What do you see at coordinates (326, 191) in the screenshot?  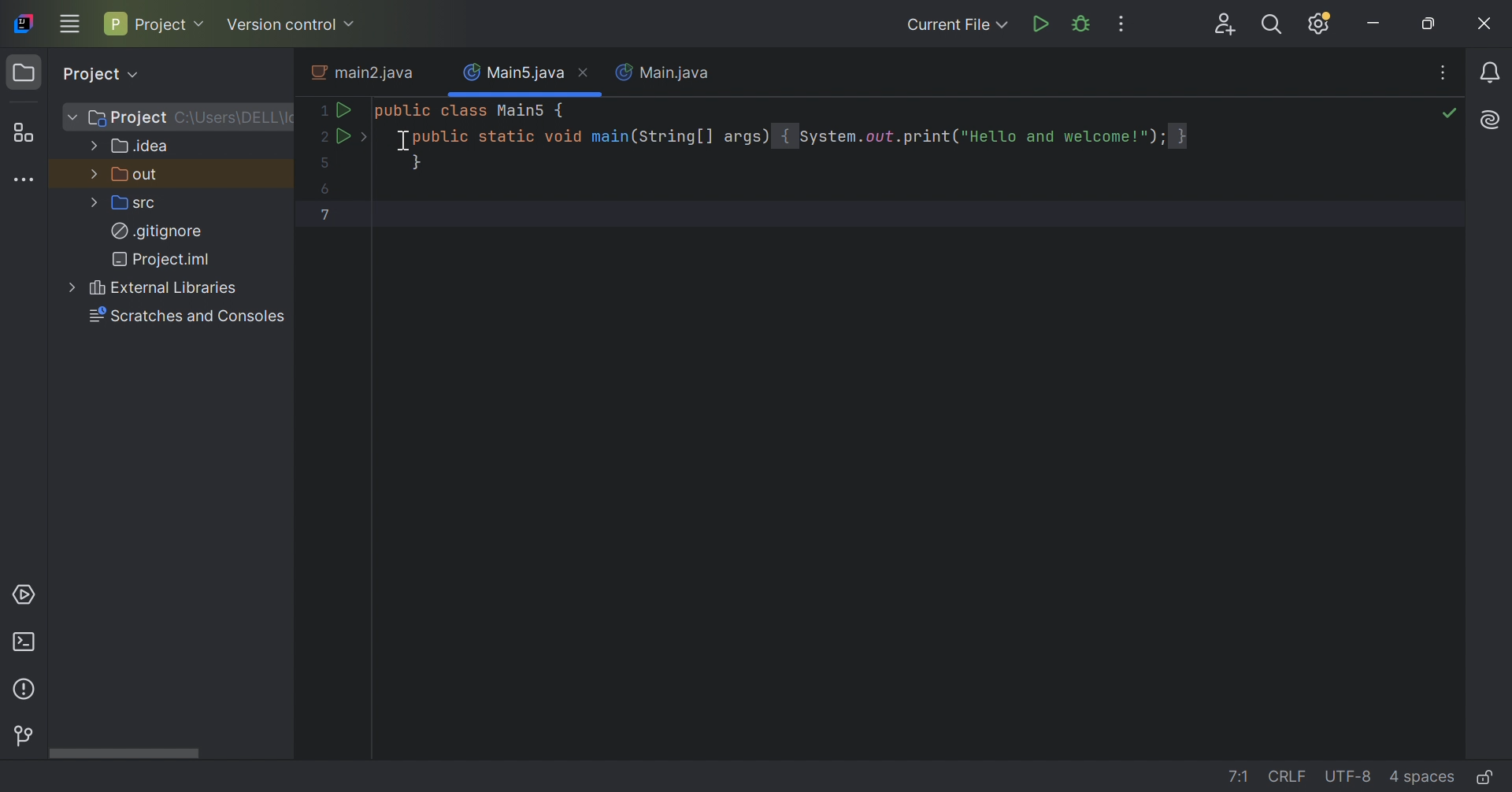 I see `6` at bounding box center [326, 191].